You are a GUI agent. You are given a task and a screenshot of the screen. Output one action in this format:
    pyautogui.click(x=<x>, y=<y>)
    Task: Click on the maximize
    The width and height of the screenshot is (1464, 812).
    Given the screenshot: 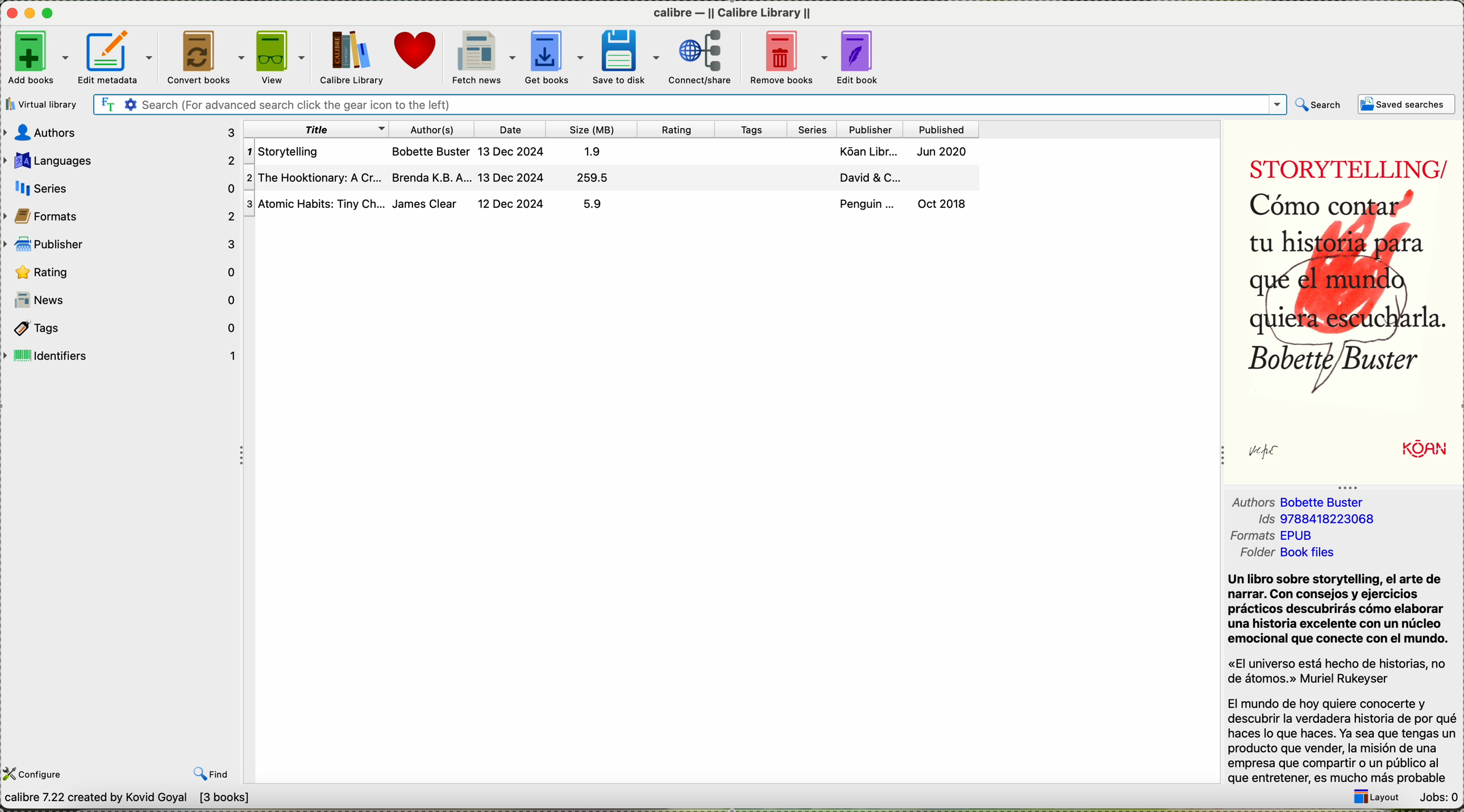 What is the action you would take?
    pyautogui.click(x=48, y=14)
    